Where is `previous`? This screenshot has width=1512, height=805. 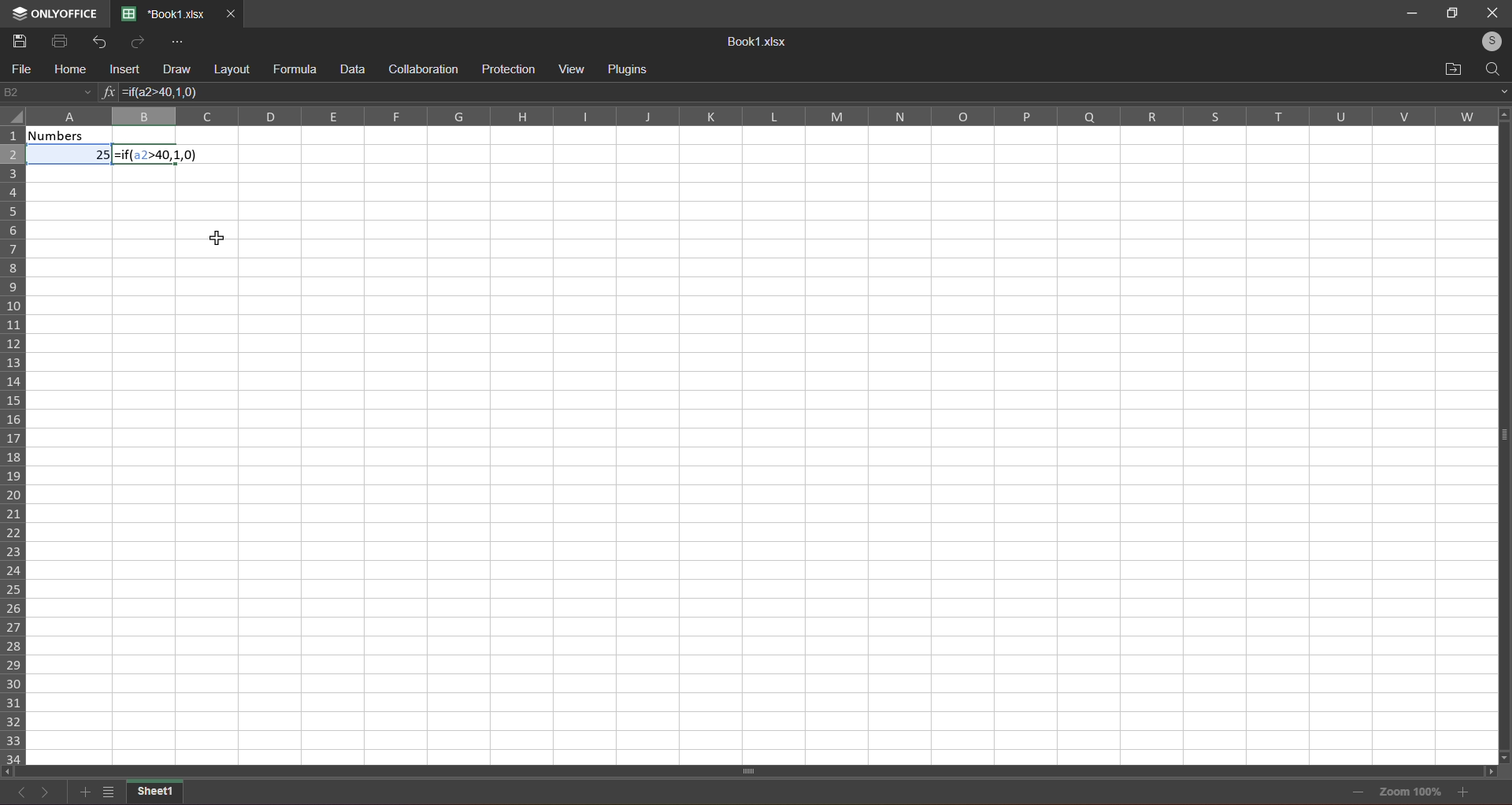
previous is located at coordinates (23, 796).